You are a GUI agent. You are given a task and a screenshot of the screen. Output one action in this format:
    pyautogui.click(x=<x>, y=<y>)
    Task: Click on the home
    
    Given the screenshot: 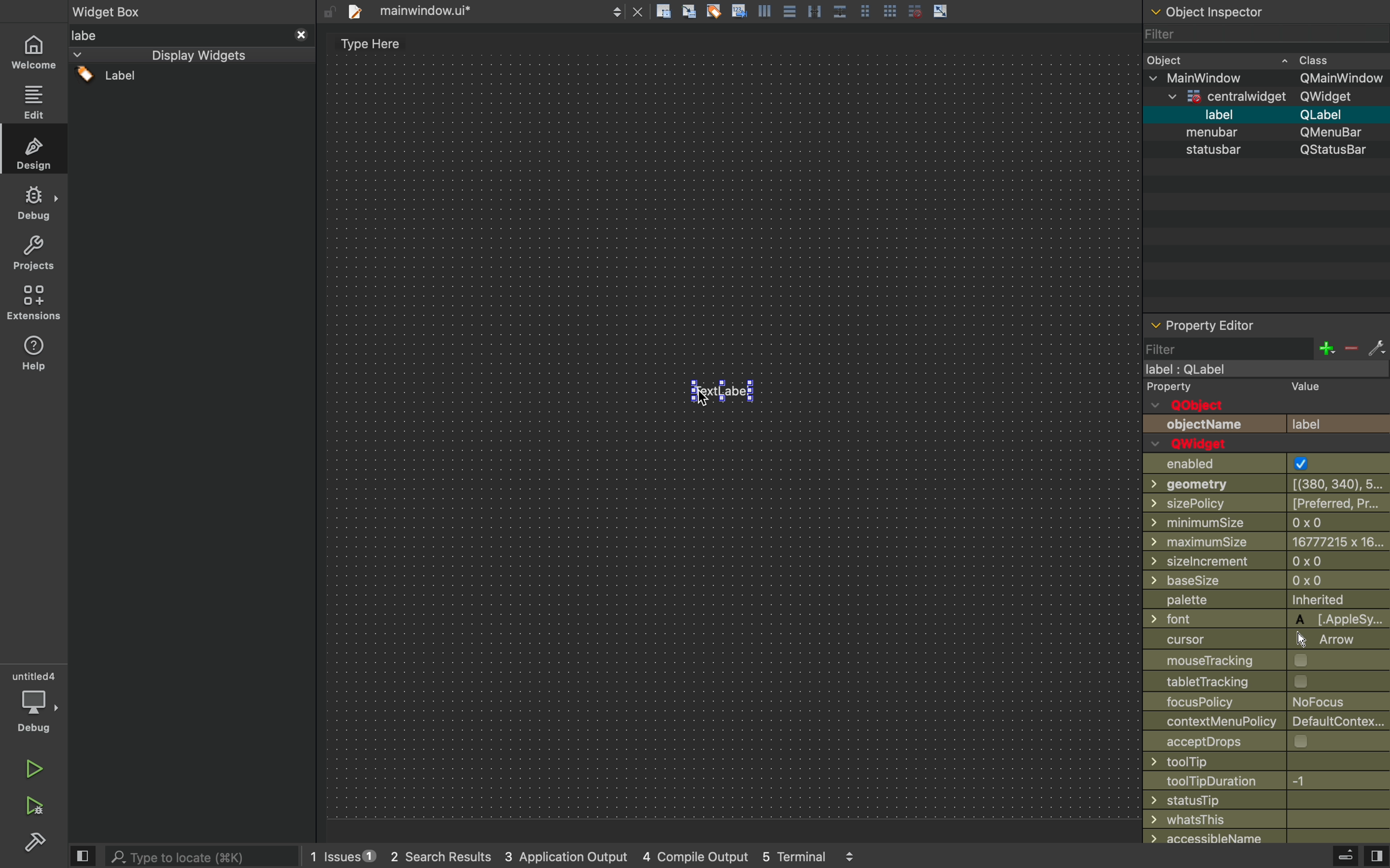 What is the action you would take?
    pyautogui.click(x=34, y=49)
    